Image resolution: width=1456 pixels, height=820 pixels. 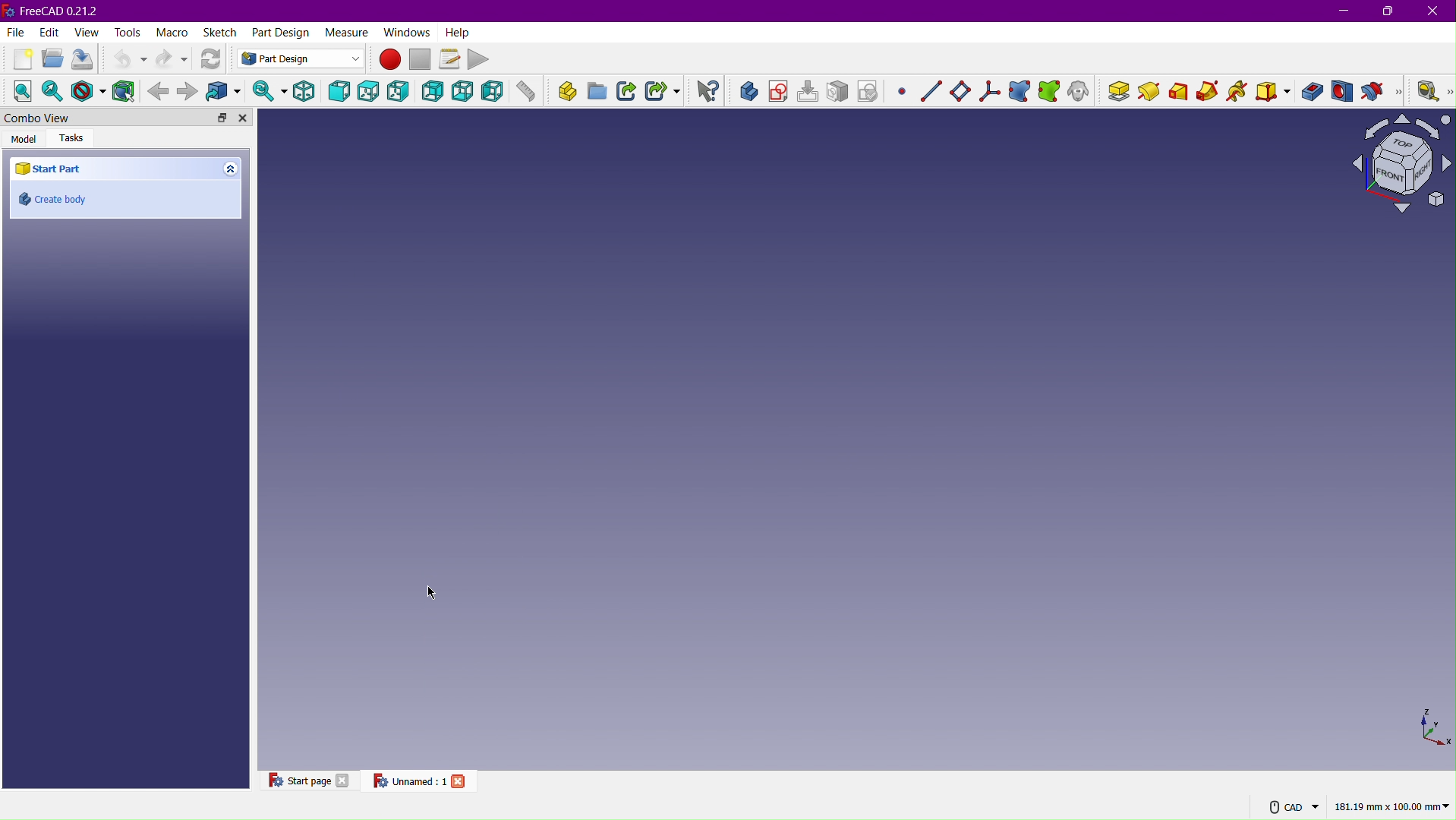 What do you see at coordinates (628, 95) in the screenshot?
I see `Make Link` at bounding box center [628, 95].